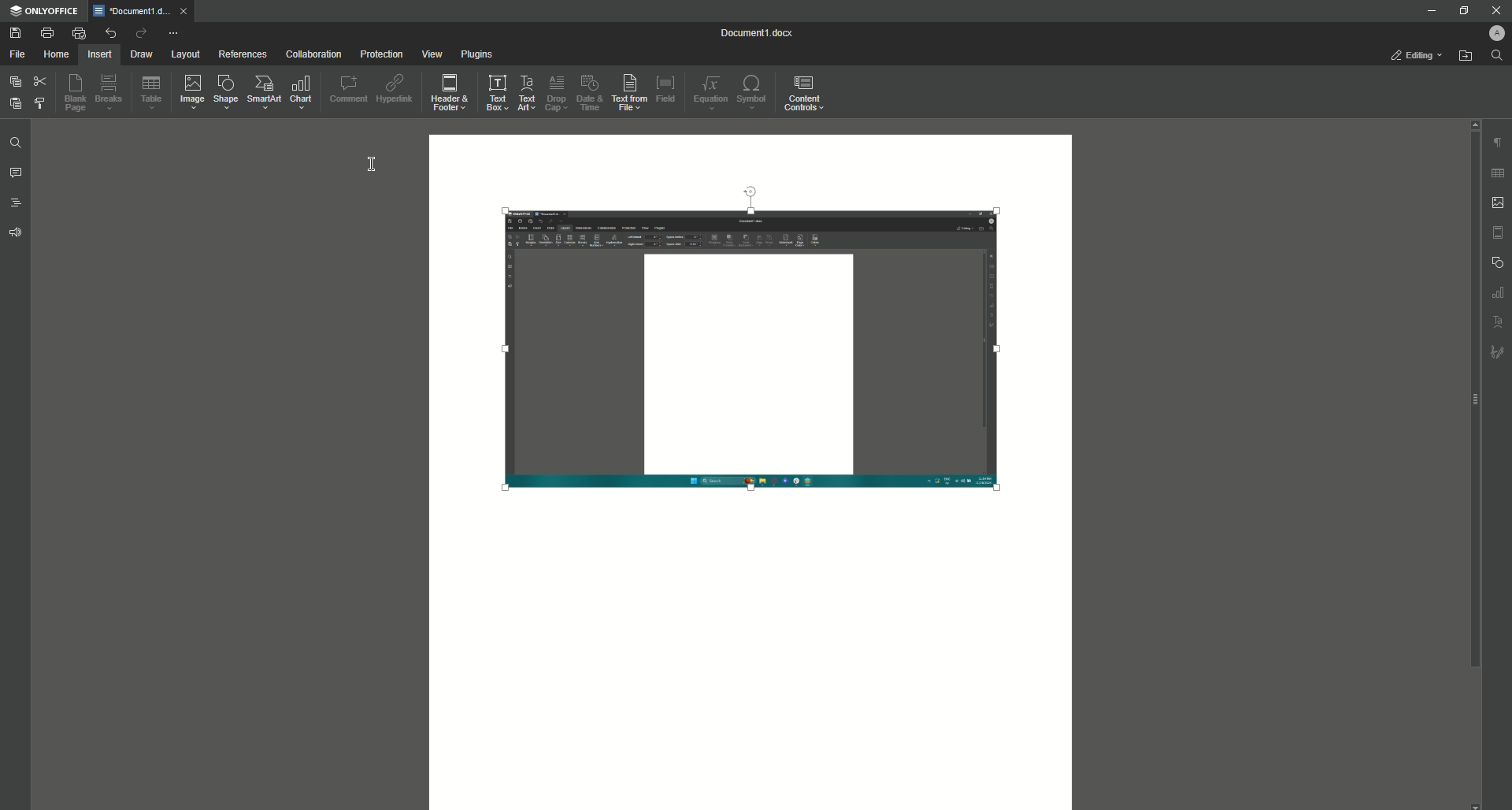 The height and width of the screenshot is (810, 1512). Describe the element at coordinates (1471, 124) in the screenshot. I see `Scroll Up` at that location.